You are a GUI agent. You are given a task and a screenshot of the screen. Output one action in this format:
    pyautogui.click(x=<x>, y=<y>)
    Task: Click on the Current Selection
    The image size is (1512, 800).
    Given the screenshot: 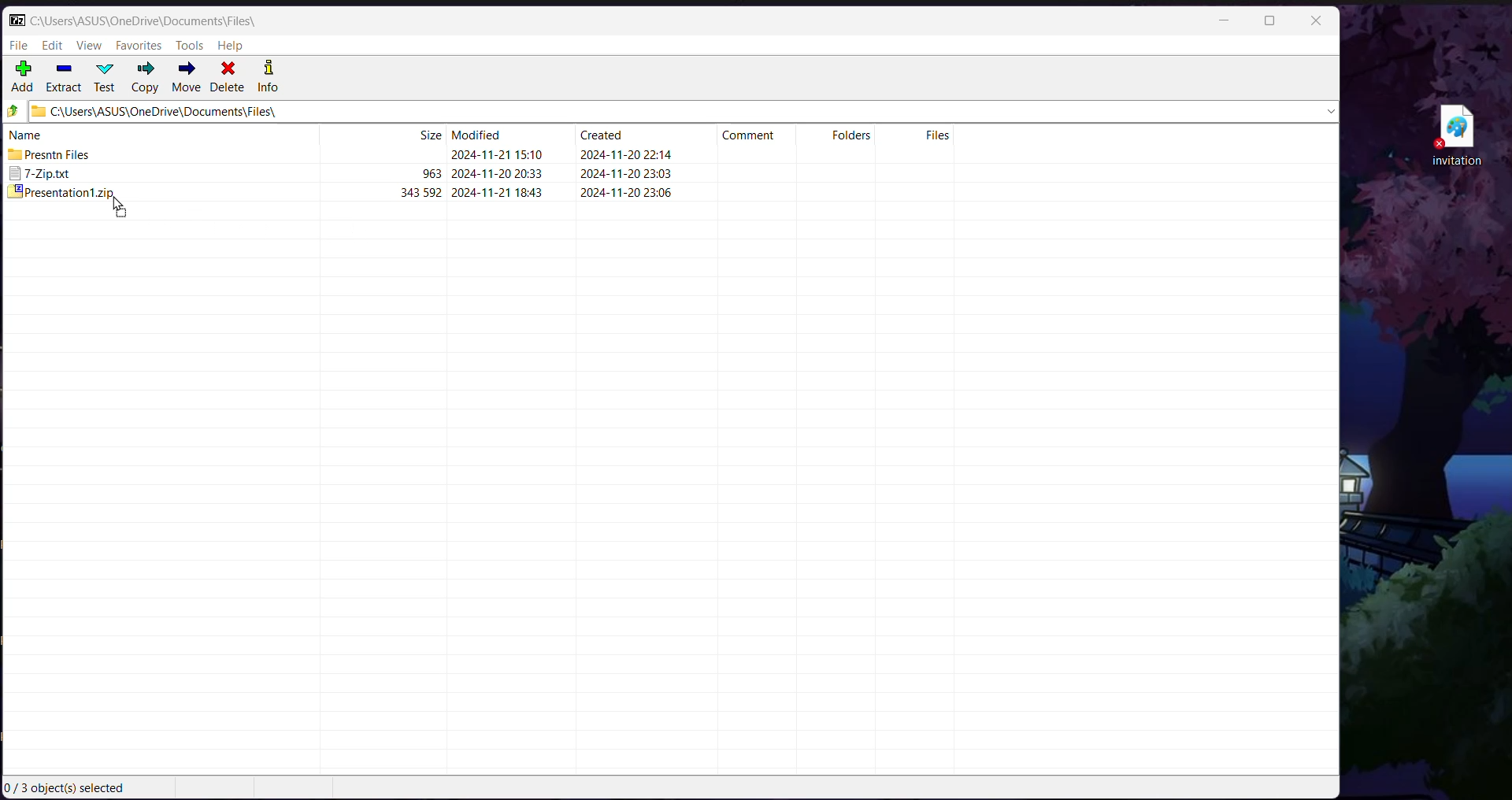 What is the action you would take?
    pyautogui.click(x=70, y=788)
    